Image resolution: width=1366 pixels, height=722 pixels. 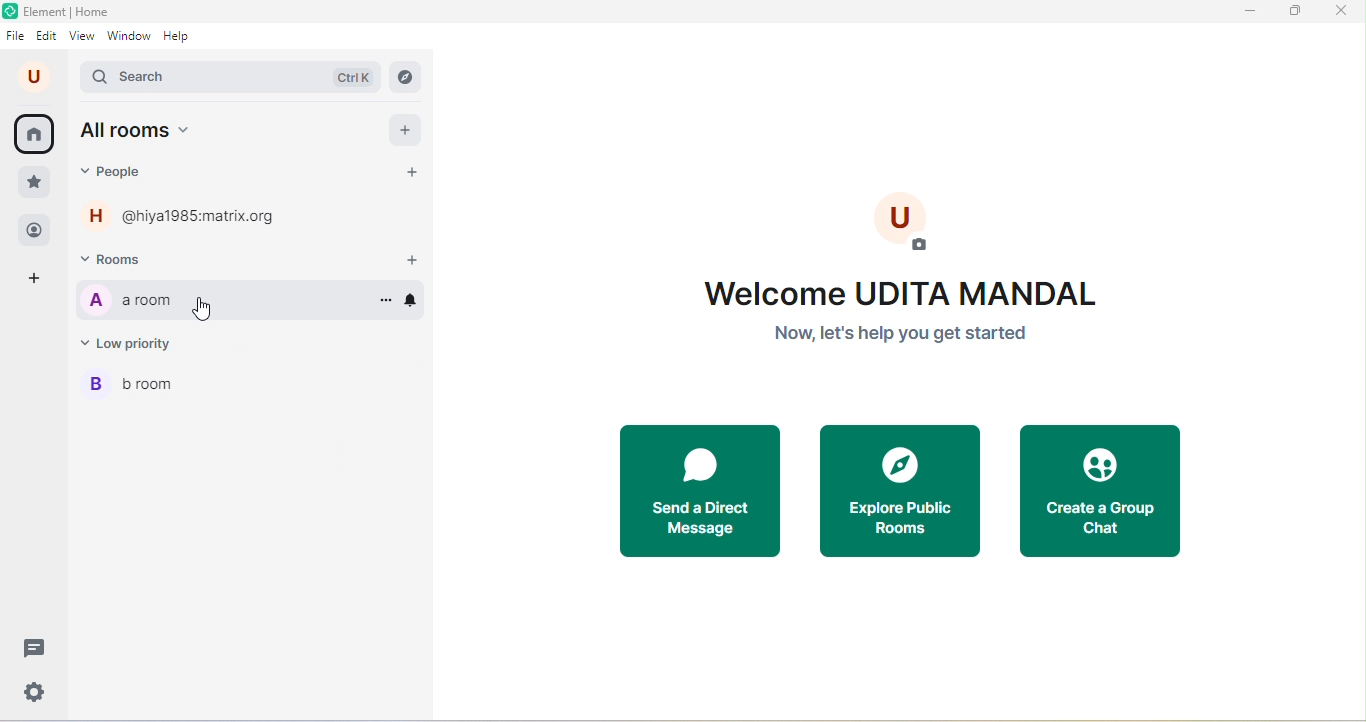 I want to click on add, so click(x=406, y=129).